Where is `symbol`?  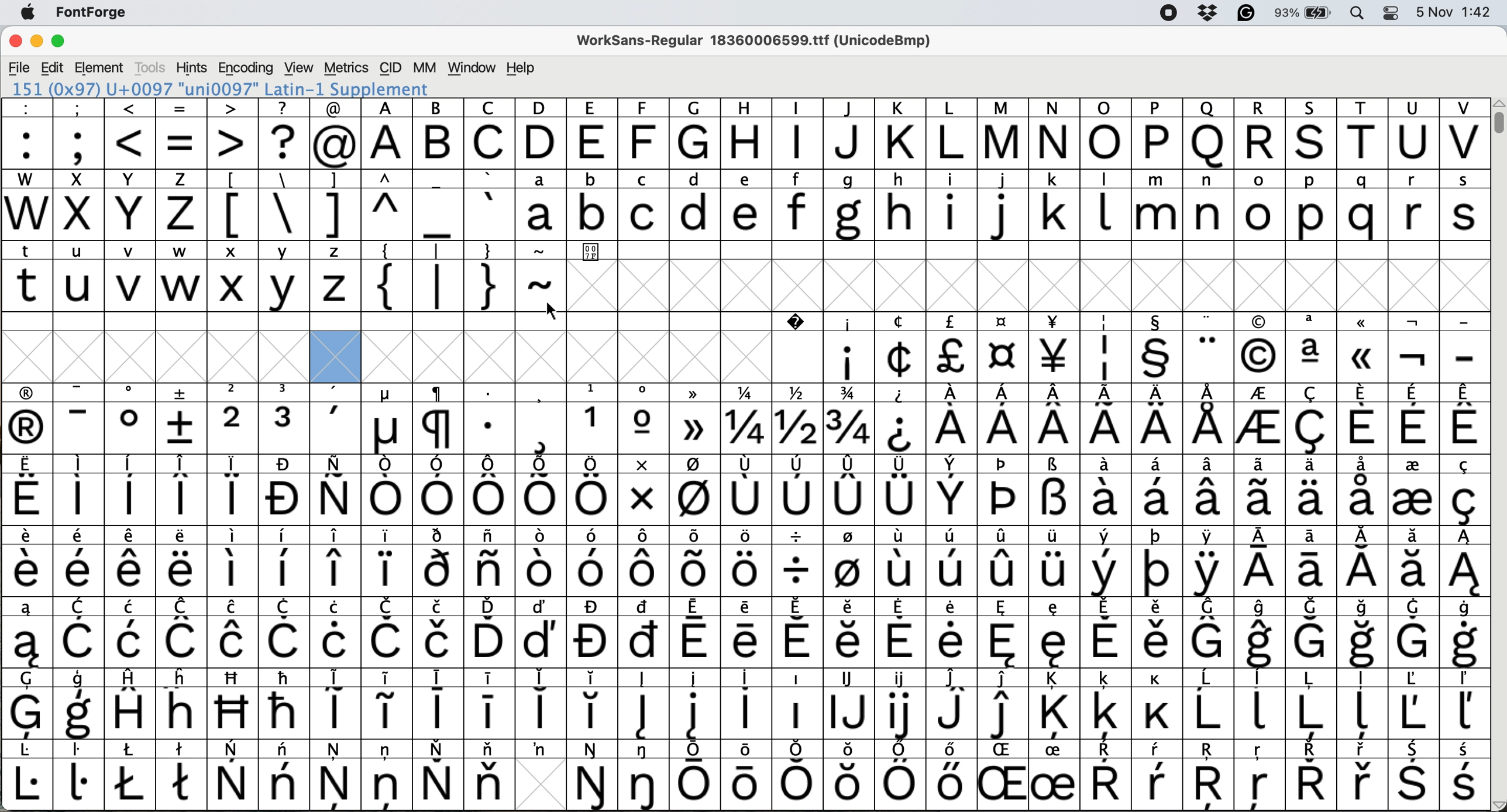
symbol is located at coordinates (1414, 632).